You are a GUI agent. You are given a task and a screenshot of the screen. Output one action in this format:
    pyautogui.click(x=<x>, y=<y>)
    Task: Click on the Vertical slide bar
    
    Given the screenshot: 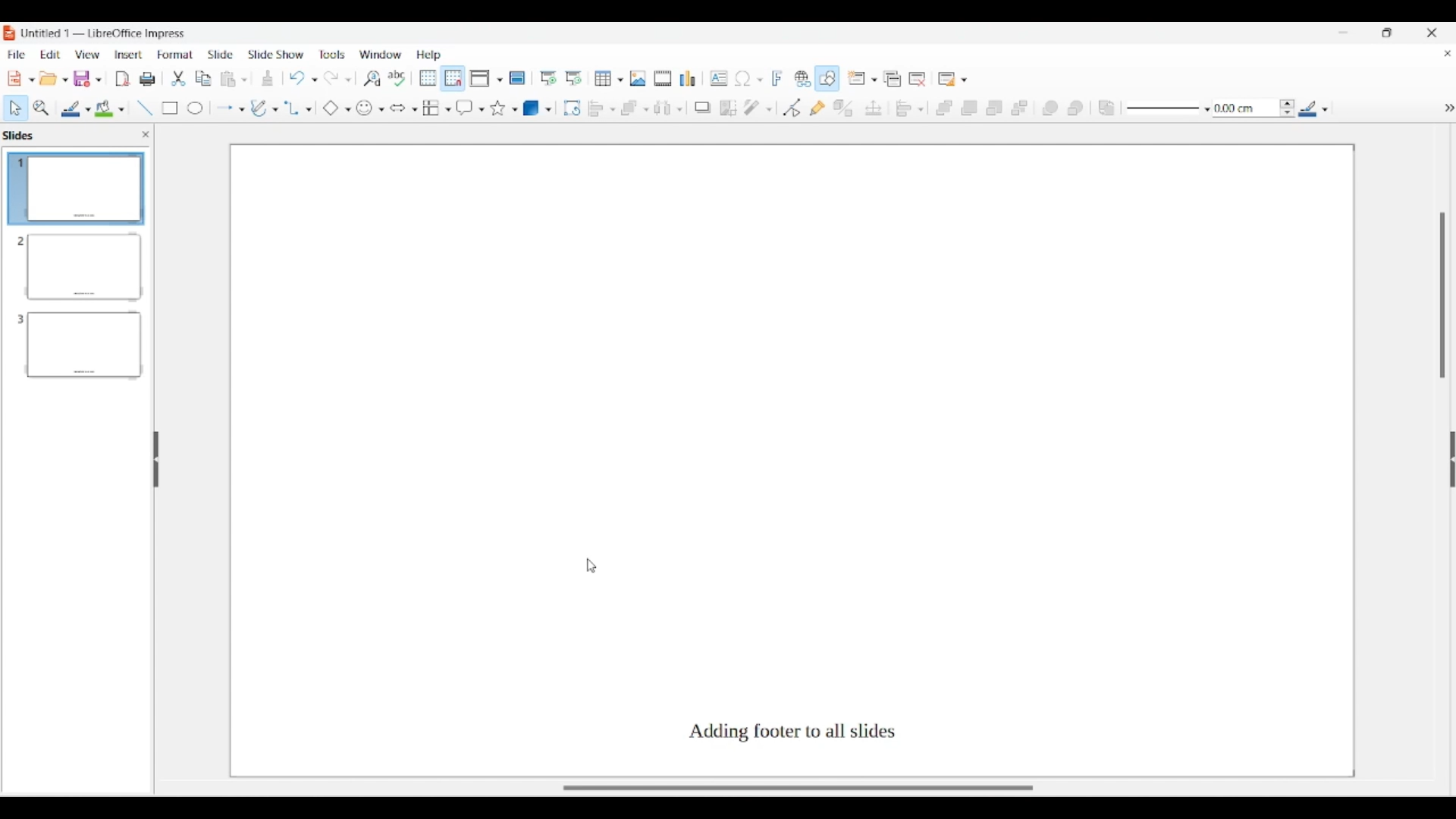 What is the action you would take?
    pyautogui.click(x=1442, y=300)
    